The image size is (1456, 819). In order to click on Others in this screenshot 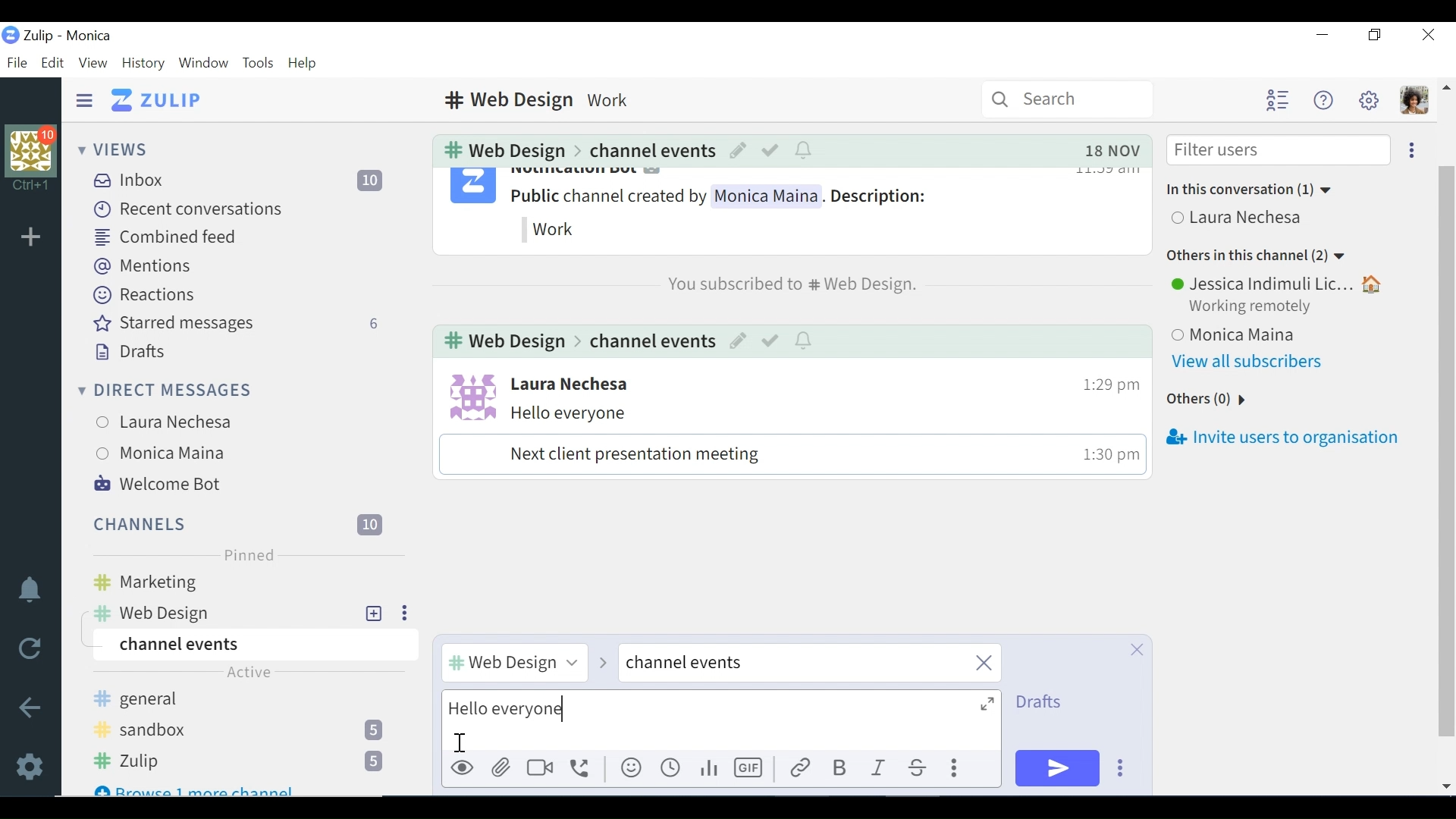, I will do `click(1205, 400)`.